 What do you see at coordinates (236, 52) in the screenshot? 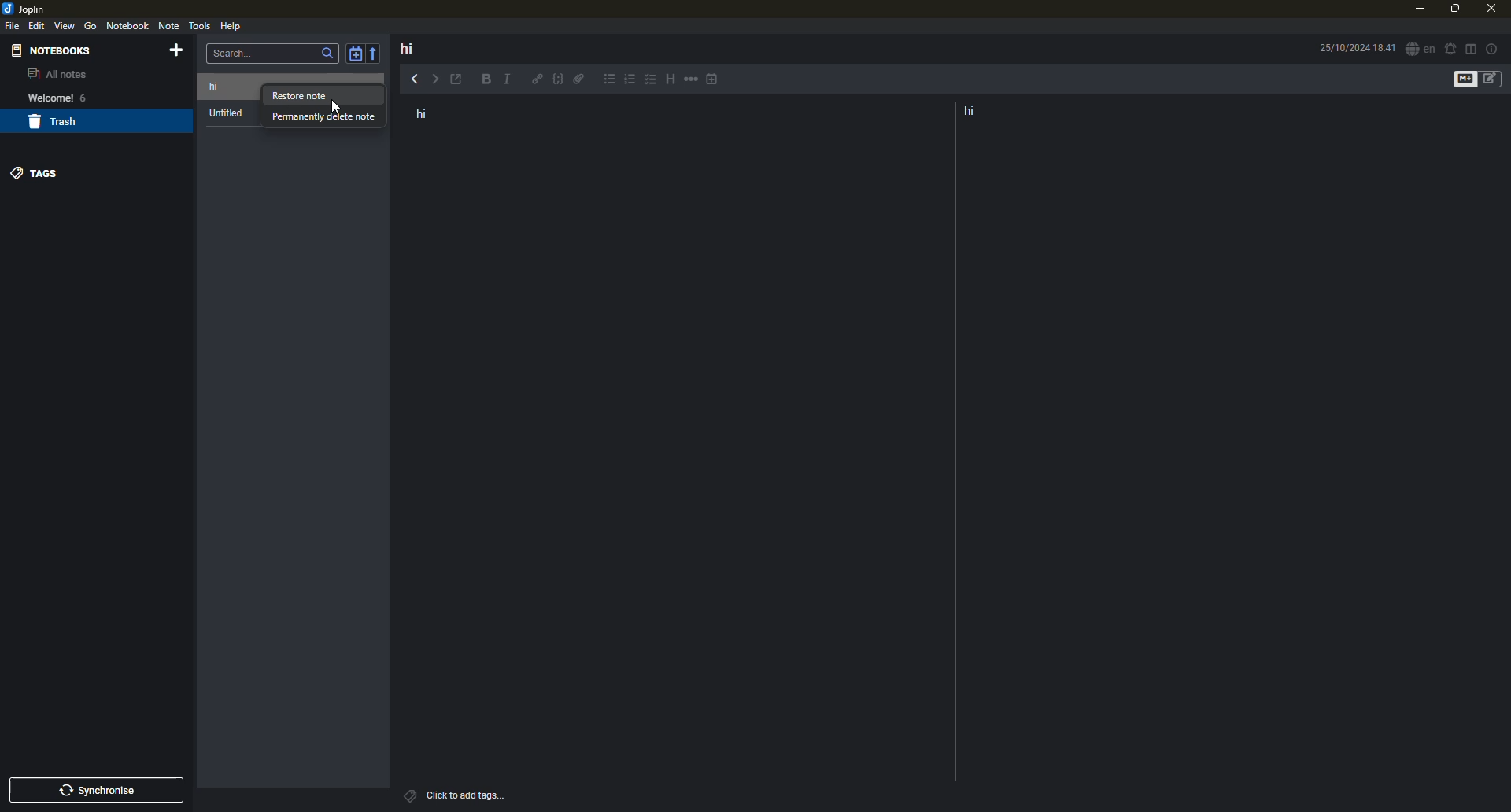
I see `search` at bounding box center [236, 52].